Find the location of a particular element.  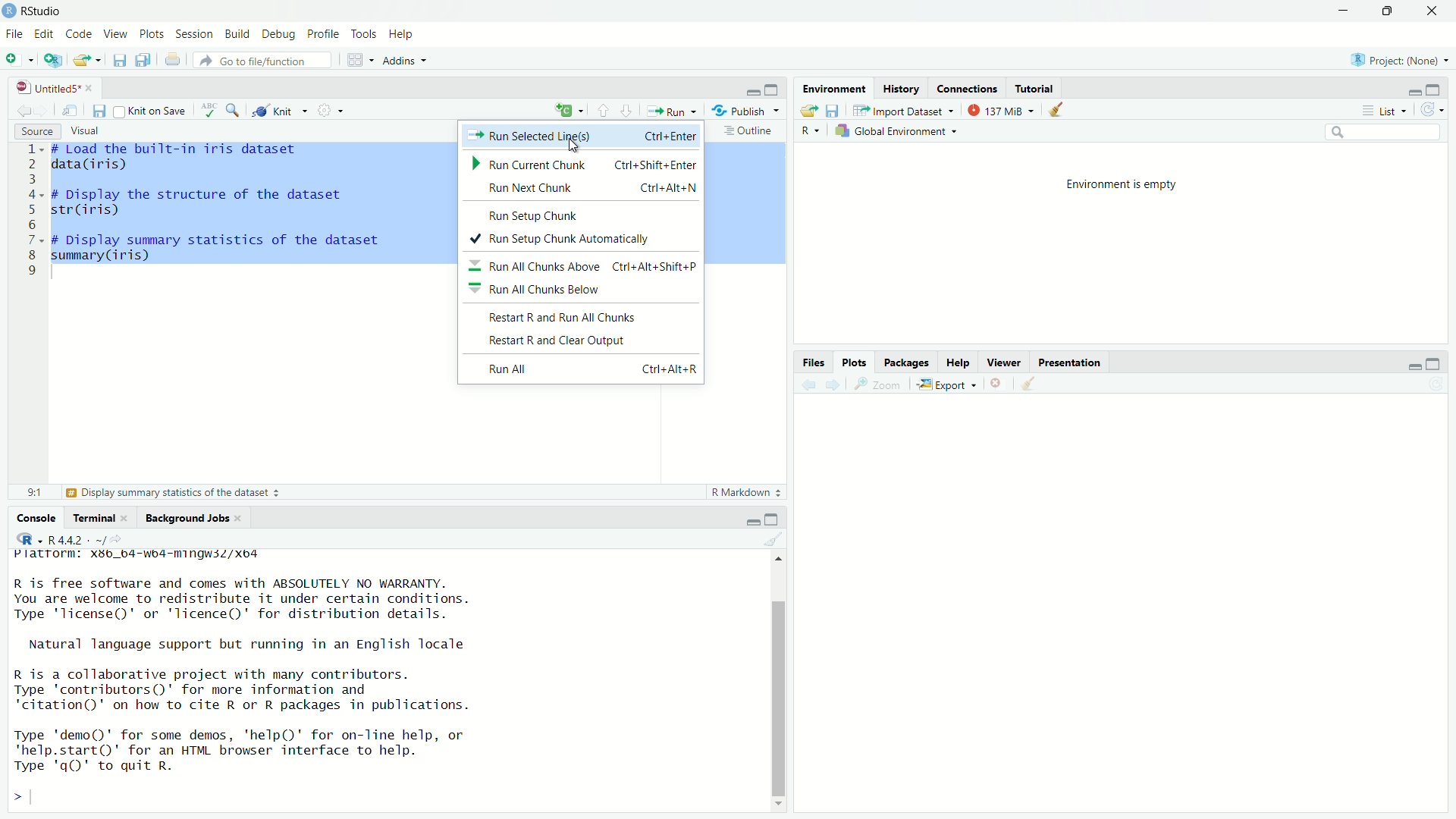

Restart R and Run All Chunks is located at coordinates (557, 318).